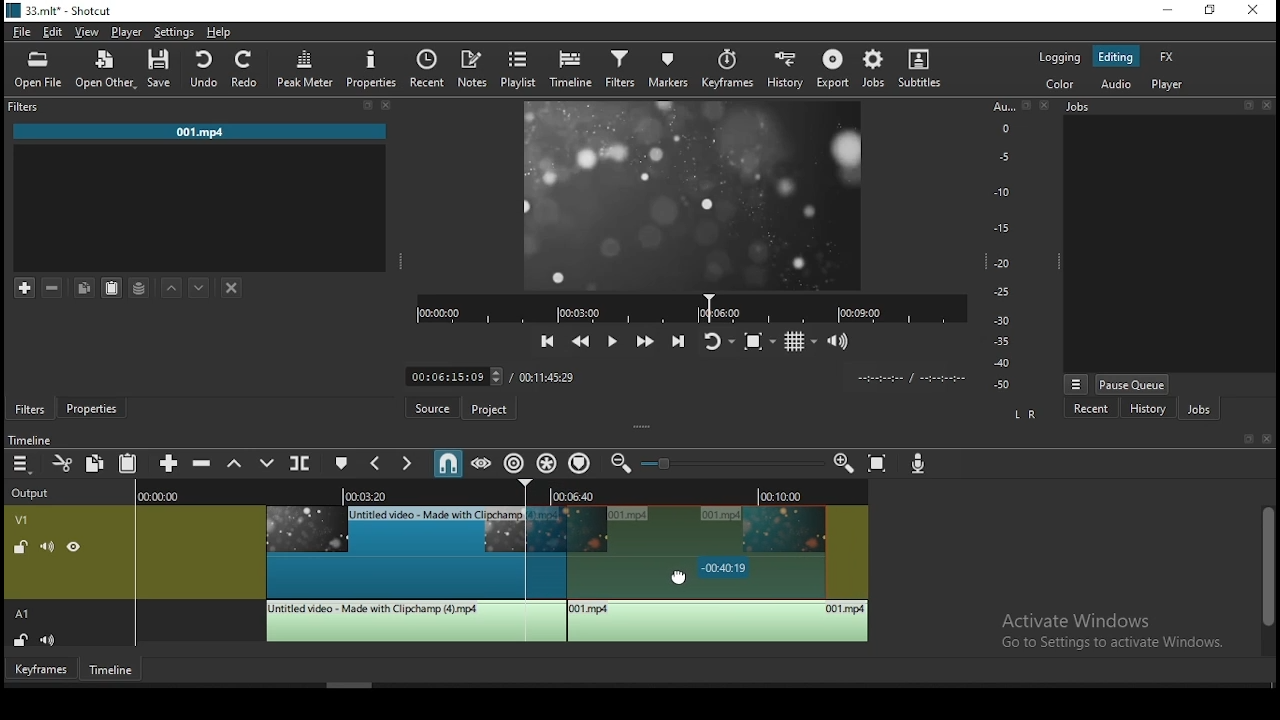  What do you see at coordinates (845, 464) in the screenshot?
I see `zoom timeline in` at bounding box center [845, 464].